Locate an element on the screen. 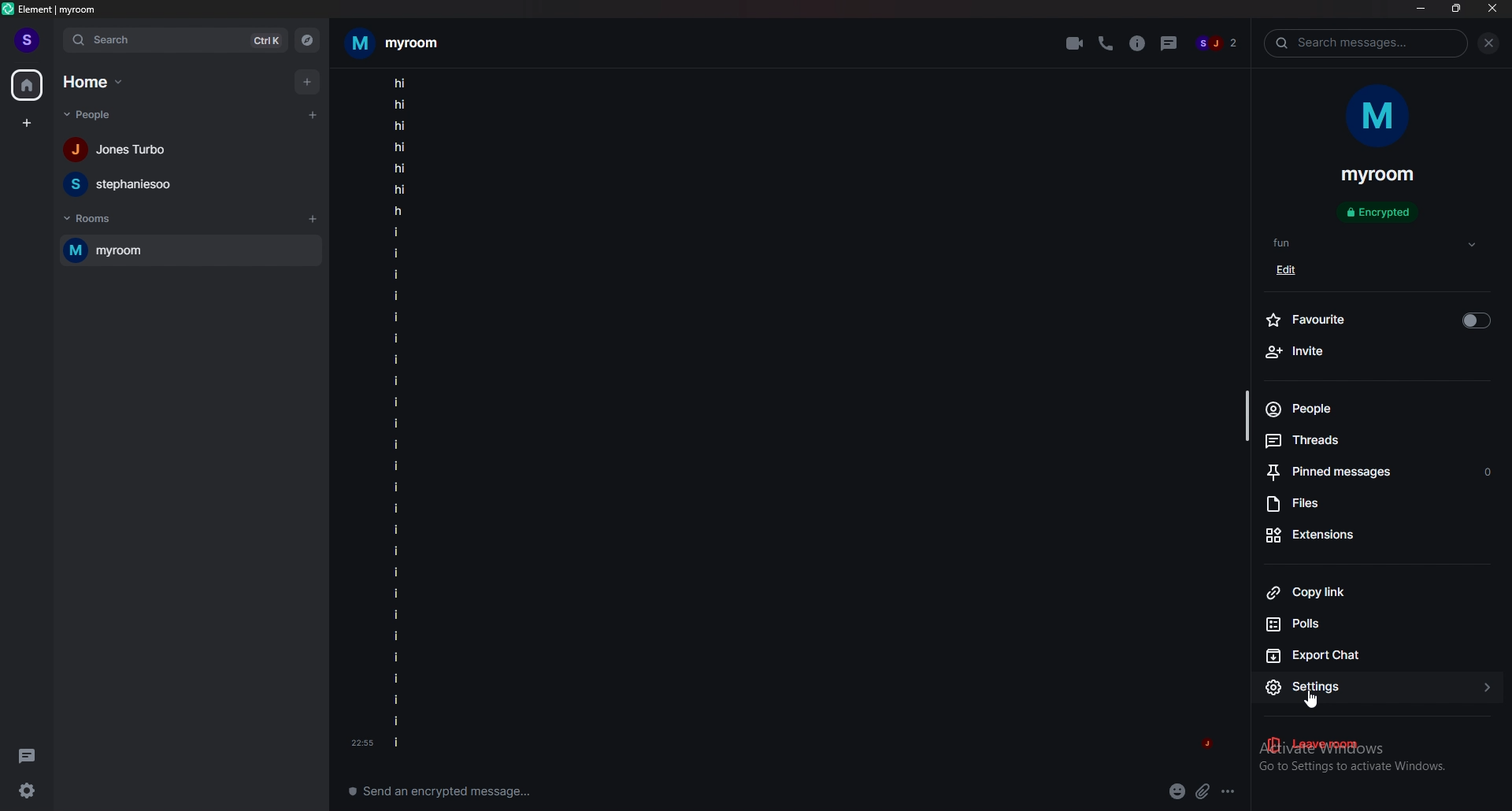 The width and height of the screenshot is (1512, 811). pinned messages is located at coordinates (1380, 474).